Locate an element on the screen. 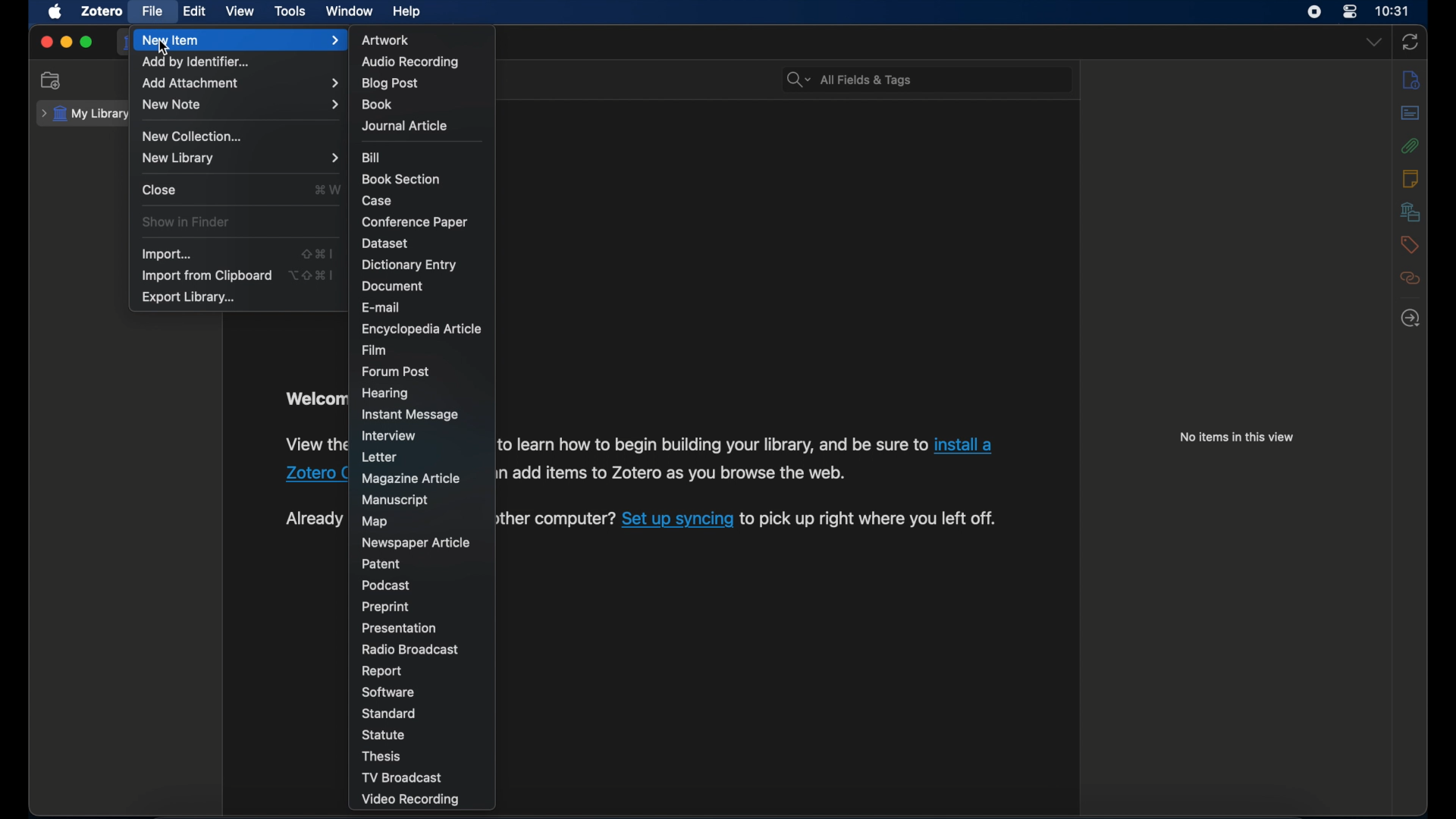 This screenshot has height=819, width=1456. e-mail is located at coordinates (379, 307).